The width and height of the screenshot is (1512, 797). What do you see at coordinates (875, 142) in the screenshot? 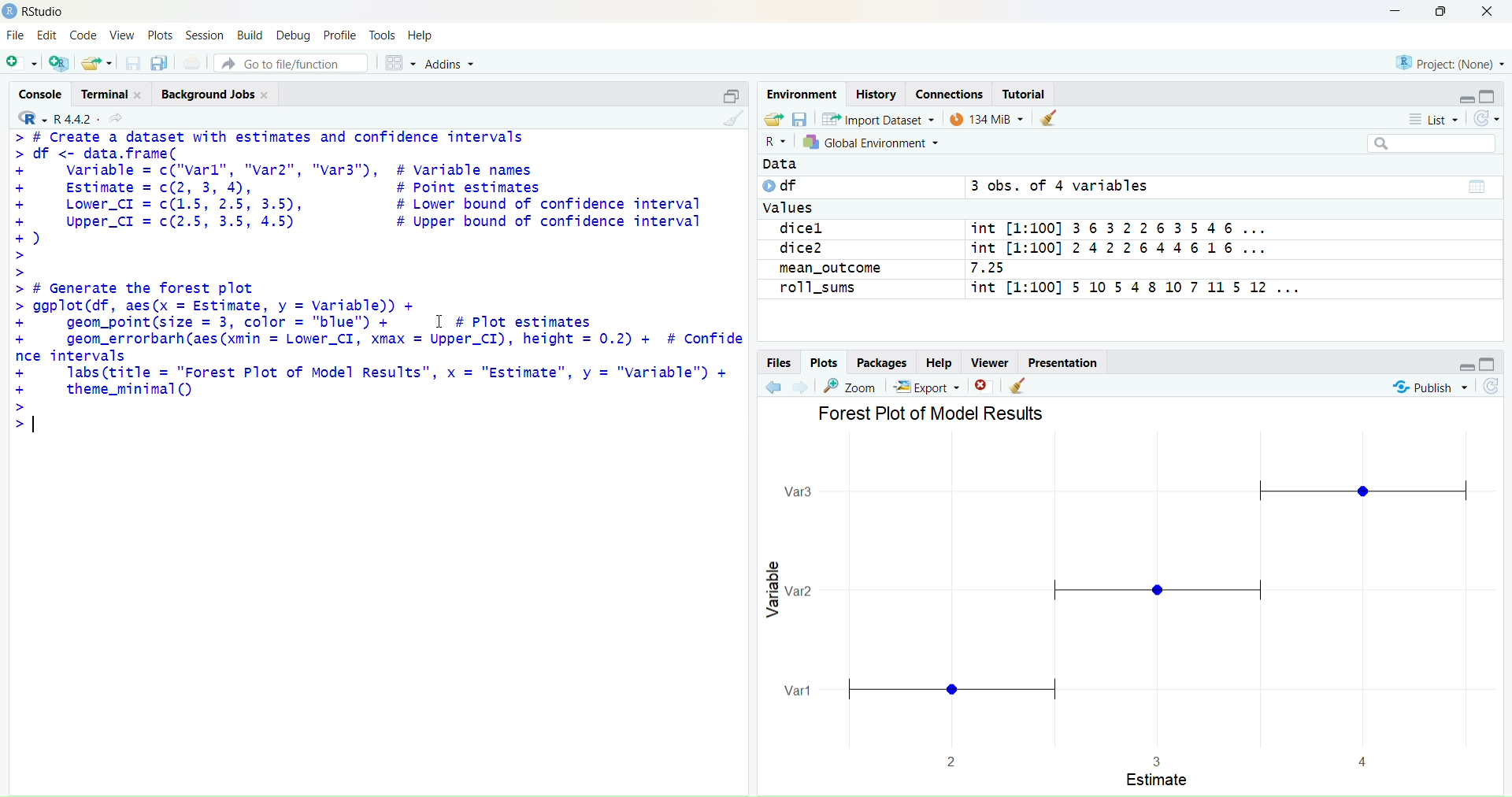
I see `Mh Global Environment ~` at bounding box center [875, 142].